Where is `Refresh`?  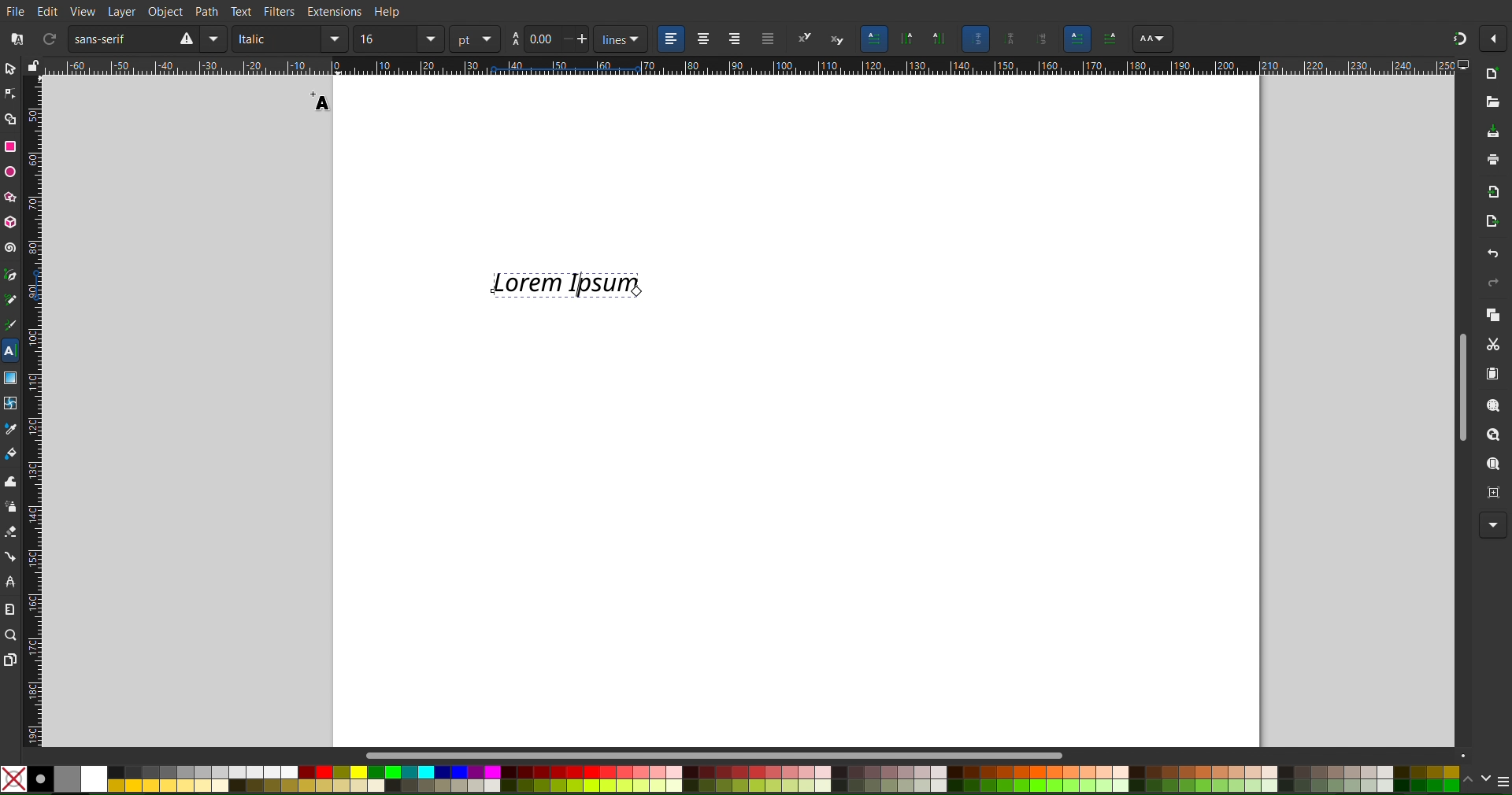 Refresh is located at coordinates (50, 39).